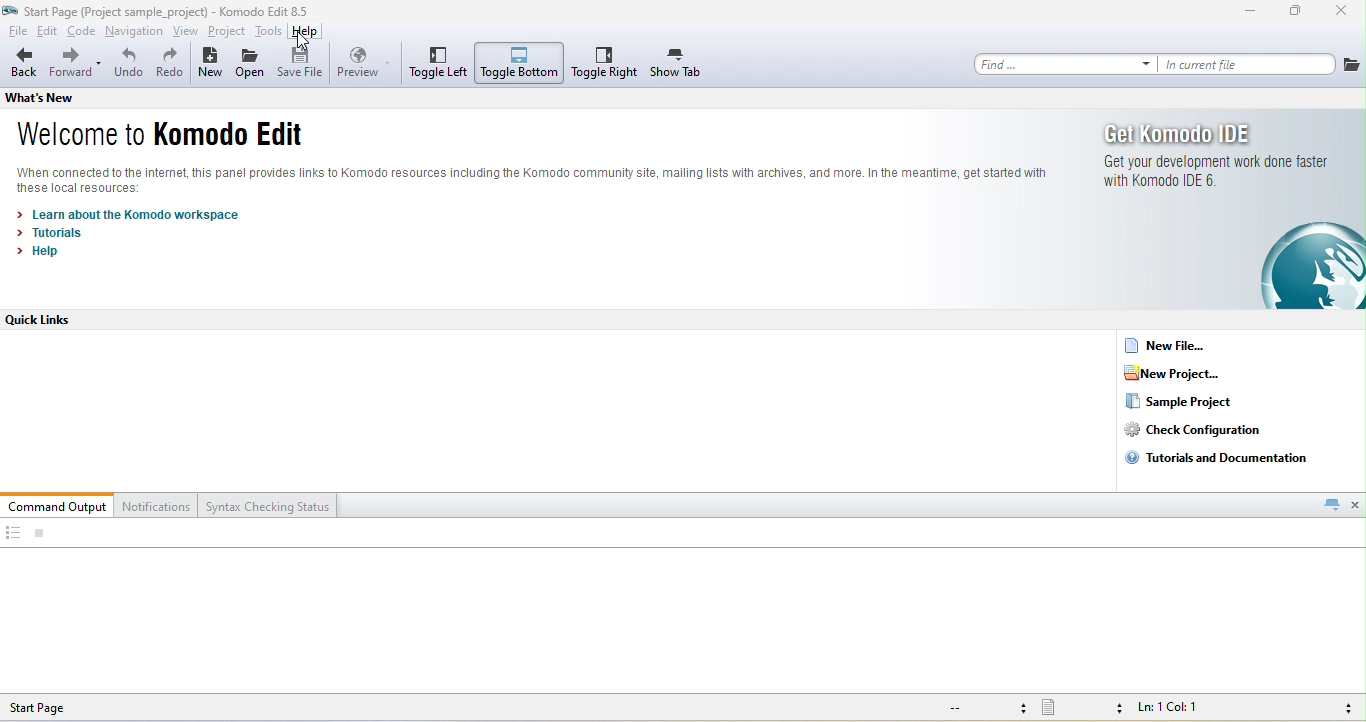 Image resolution: width=1366 pixels, height=722 pixels. What do you see at coordinates (57, 97) in the screenshot?
I see `what's new` at bounding box center [57, 97].